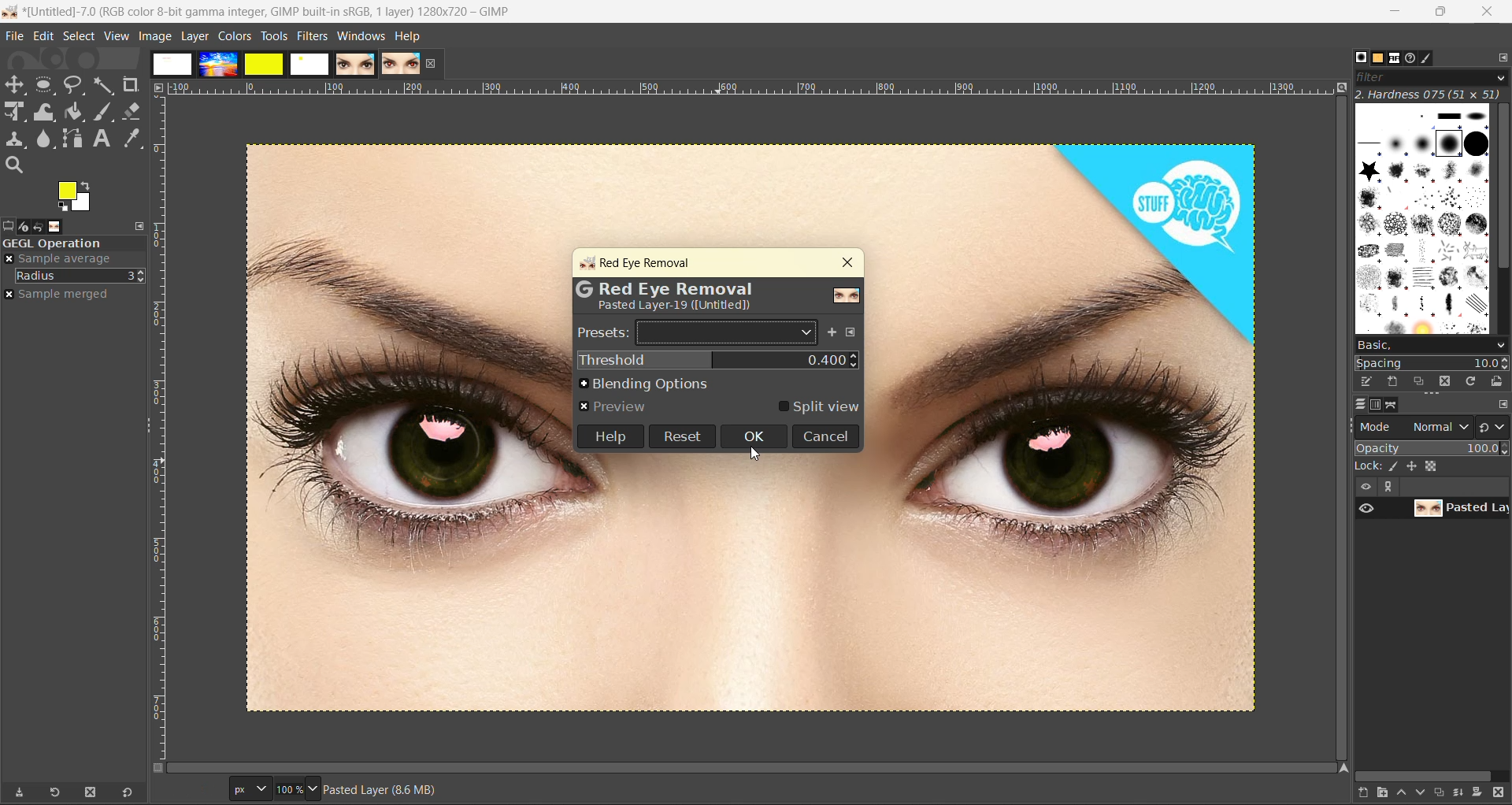 Image resolution: width=1512 pixels, height=805 pixels. What do you see at coordinates (1462, 508) in the screenshot?
I see `layer` at bounding box center [1462, 508].